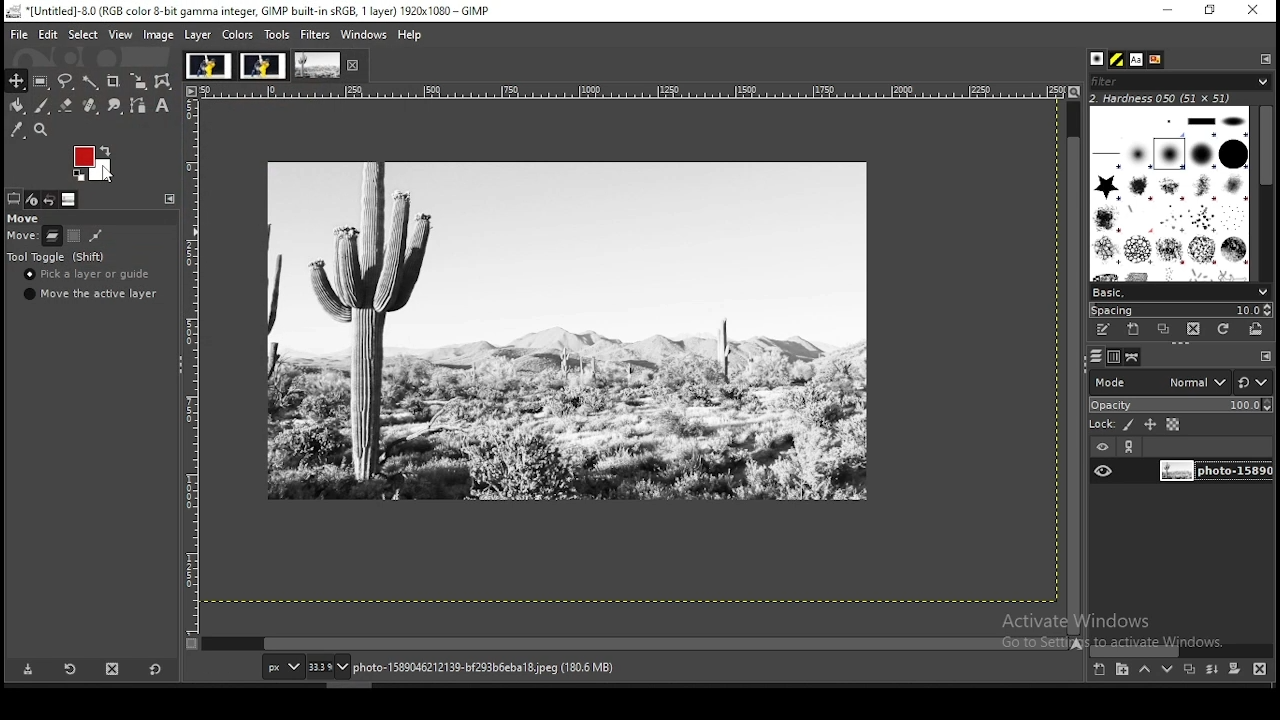 The image size is (1280, 720). Describe the element at coordinates (41, 81) in the screenshot. I see `rectangular selection tool` at that location.